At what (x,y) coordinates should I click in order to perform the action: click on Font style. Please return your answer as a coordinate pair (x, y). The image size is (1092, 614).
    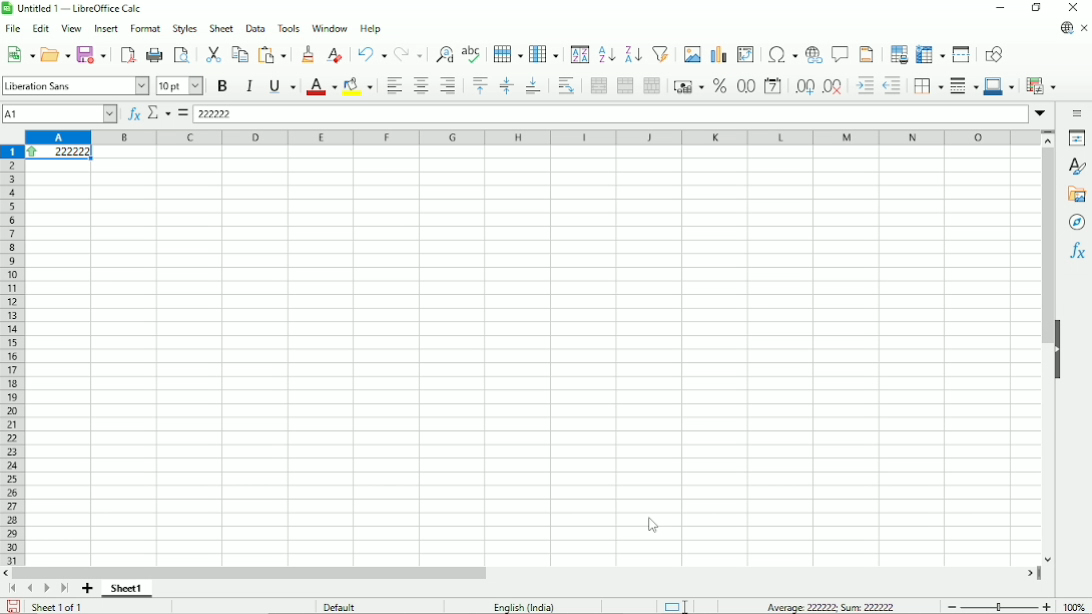
    Looking at the image, I should click on (75, 86).